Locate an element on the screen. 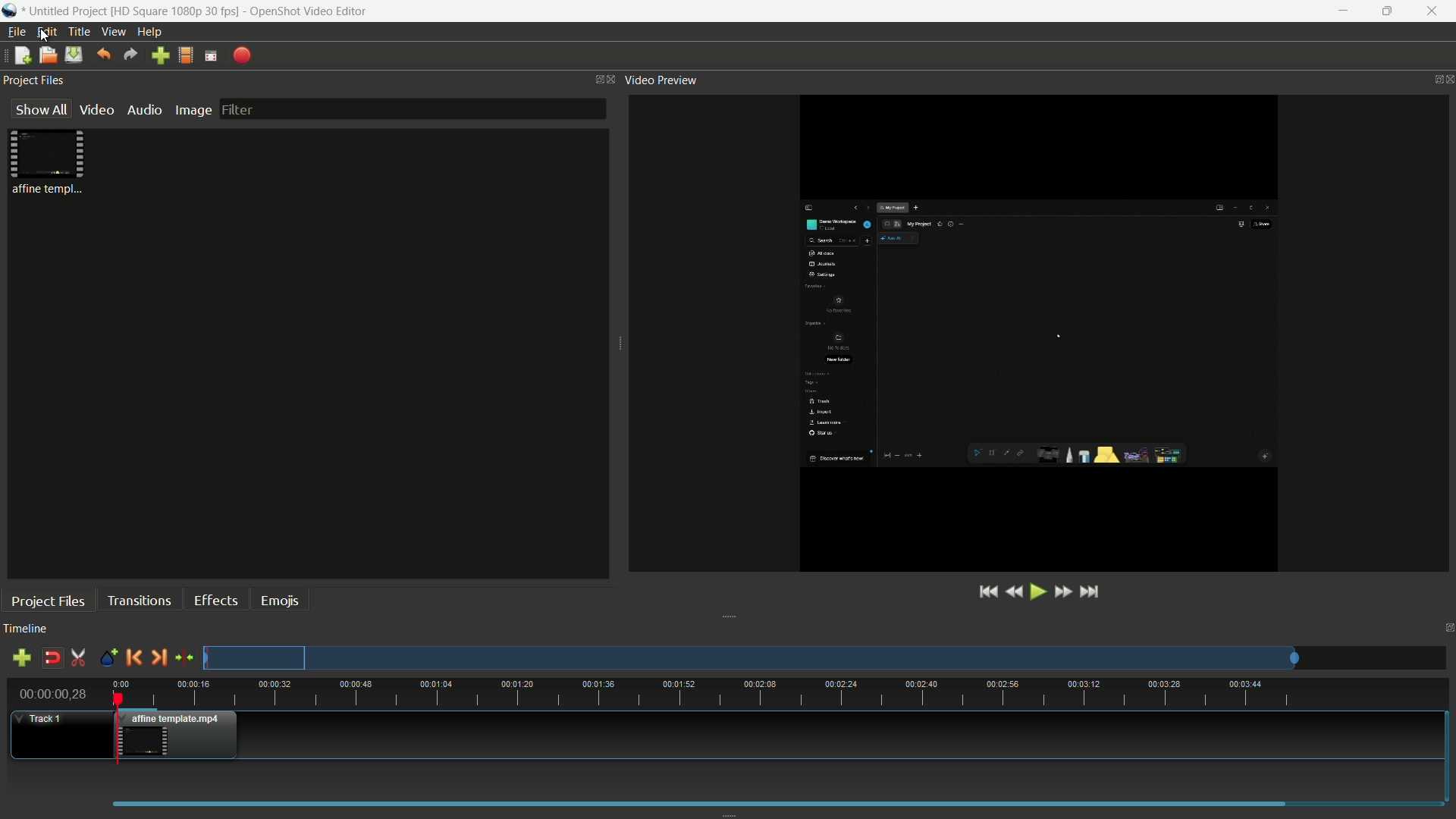 This screenshot has height=819, width=1456. disable snap is located at coordinates (52, 658).